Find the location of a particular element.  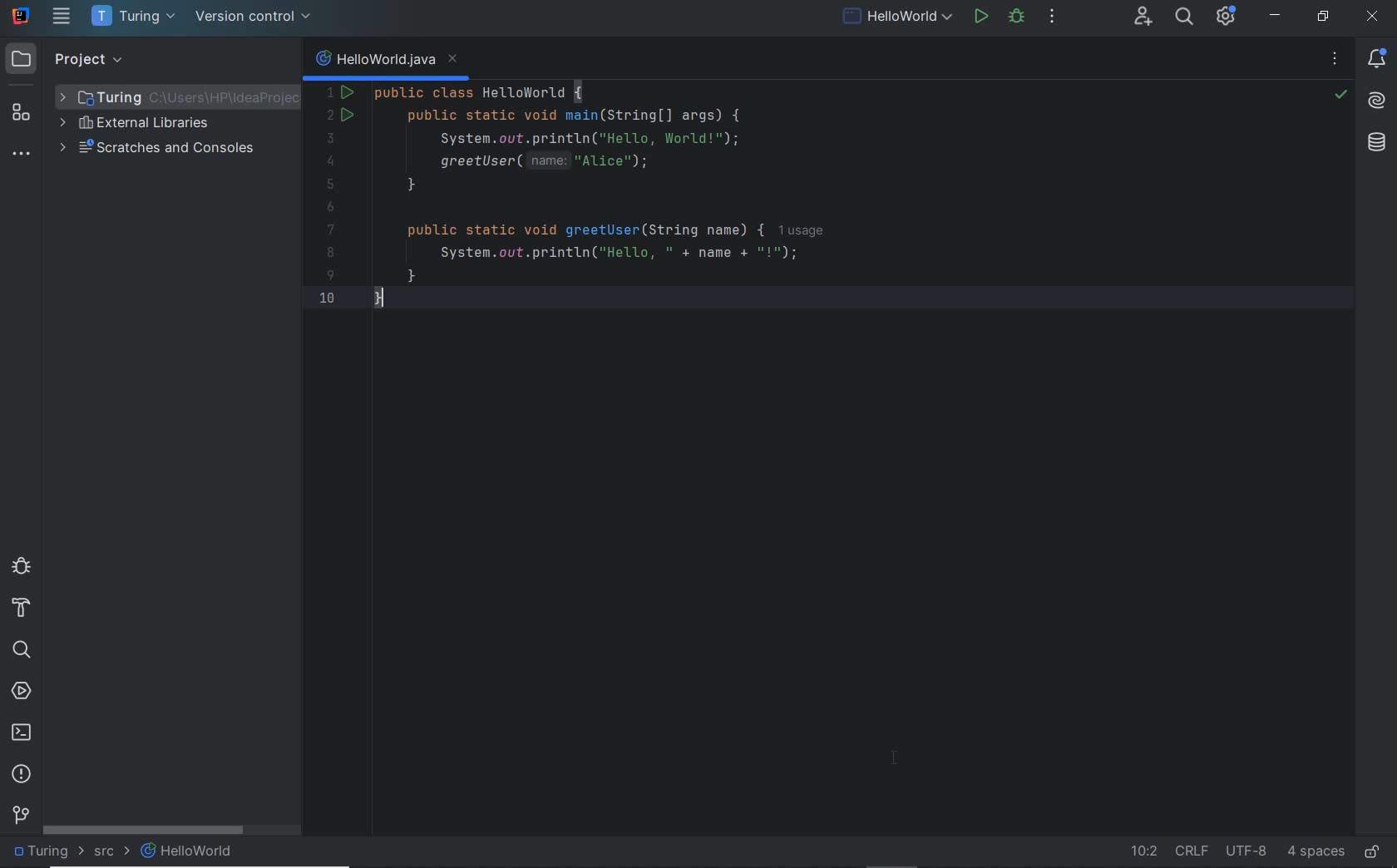

notifications is located at coordinates (1380, 60).